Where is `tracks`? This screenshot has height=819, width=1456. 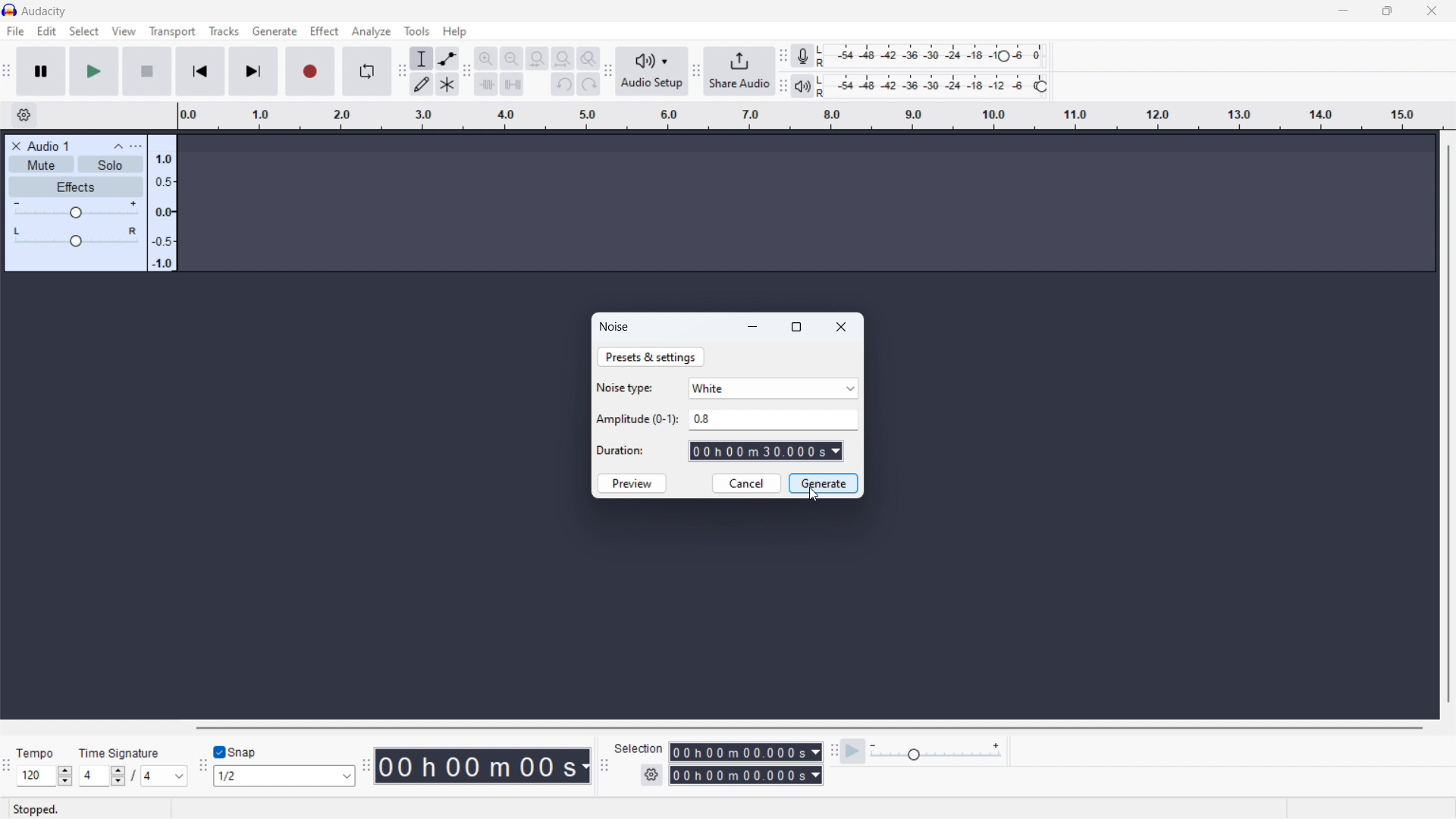 tracks is located at coordinates (224, 31).